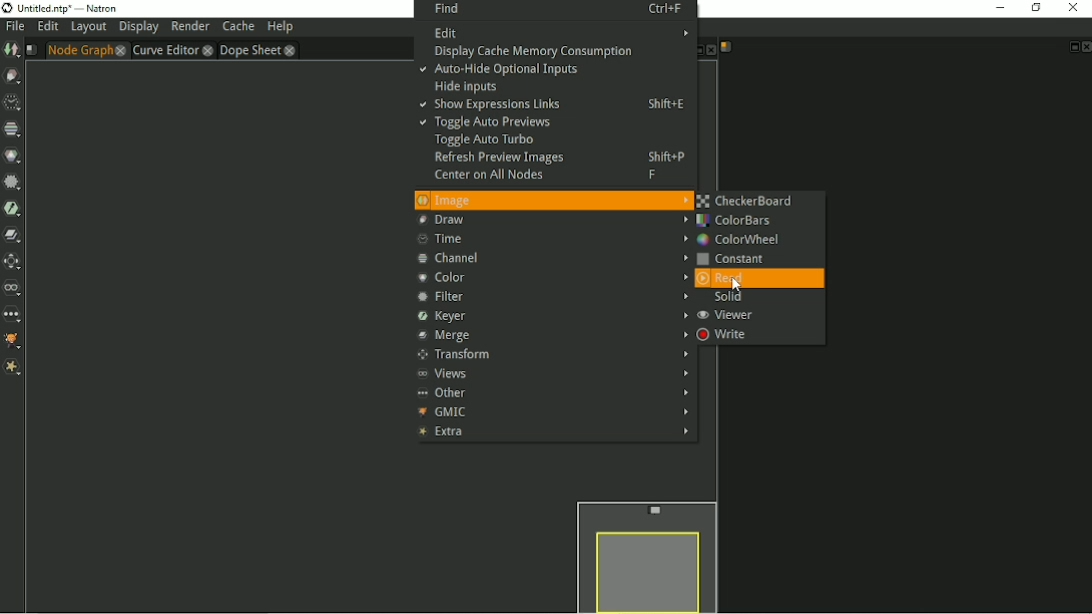 This screenshot has height=614, width=1092. What do you see at coordinates (551, 336) in the screenshot?
I see `Merge` at bounding box center [551, 336].